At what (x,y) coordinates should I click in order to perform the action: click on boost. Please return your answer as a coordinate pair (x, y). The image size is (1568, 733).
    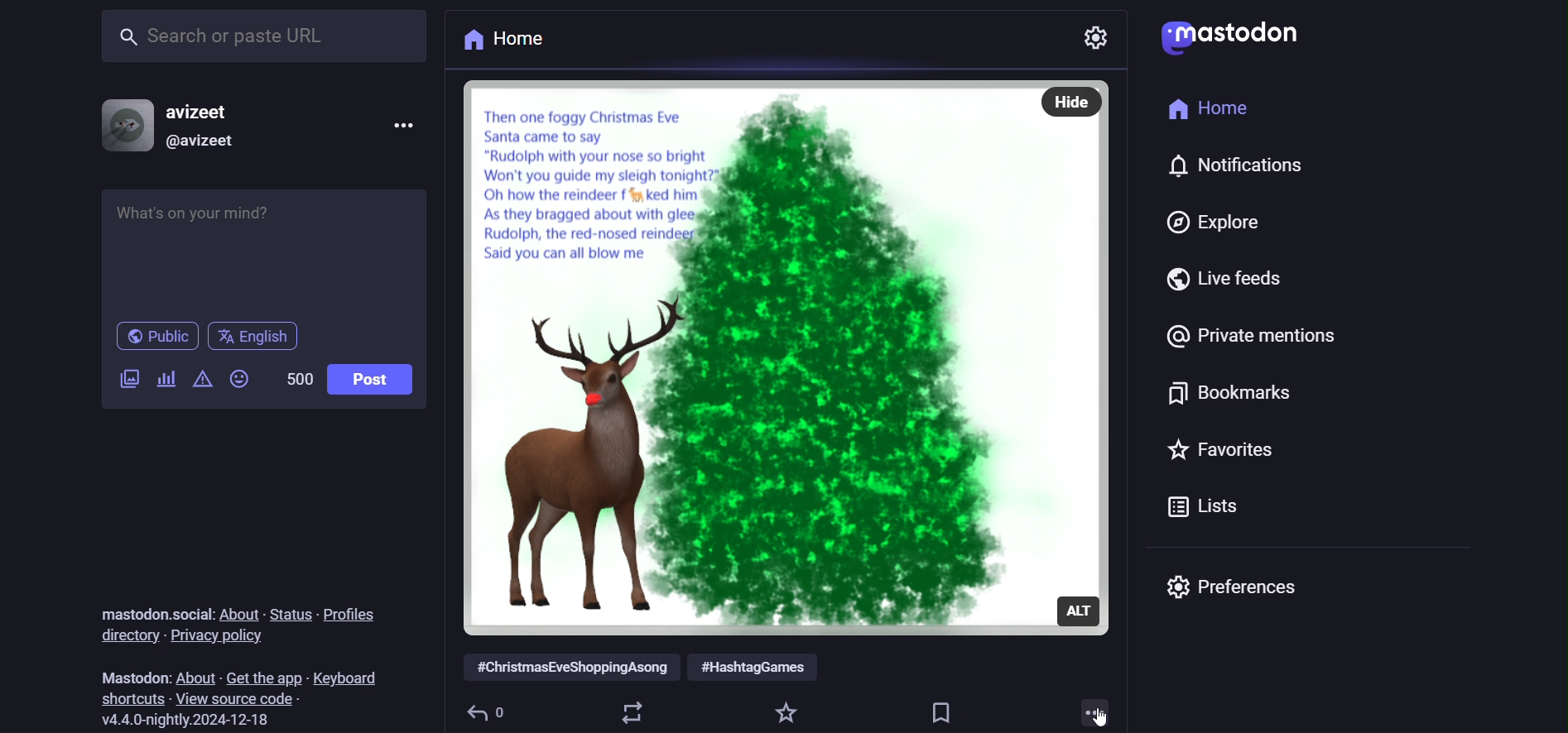
    Looking at the image, I should click on (633, 711).